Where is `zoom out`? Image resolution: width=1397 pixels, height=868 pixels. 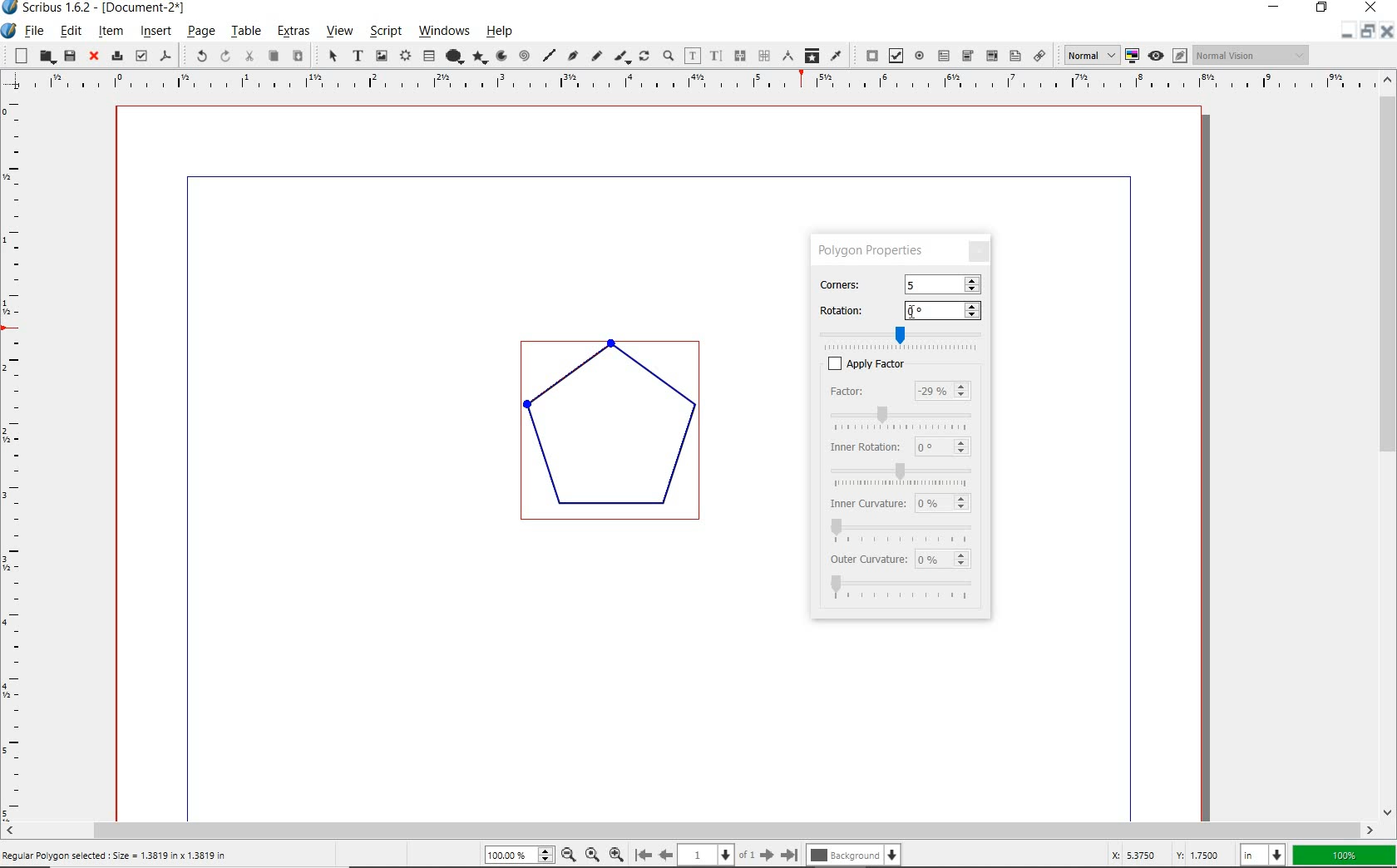
zoom out is located at coordinates (569, 855).